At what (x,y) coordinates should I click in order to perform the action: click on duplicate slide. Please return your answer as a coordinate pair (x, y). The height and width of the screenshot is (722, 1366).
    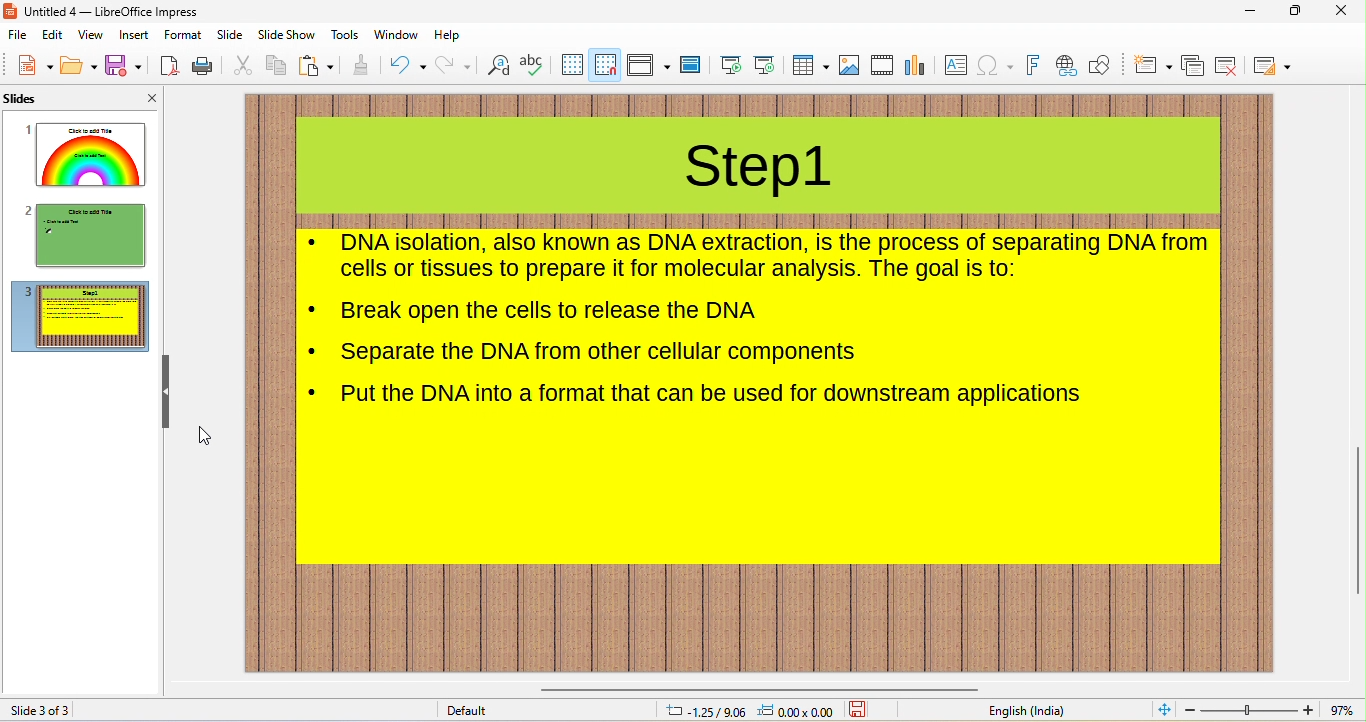
    Looking at the image, I should click on (1193, 67).